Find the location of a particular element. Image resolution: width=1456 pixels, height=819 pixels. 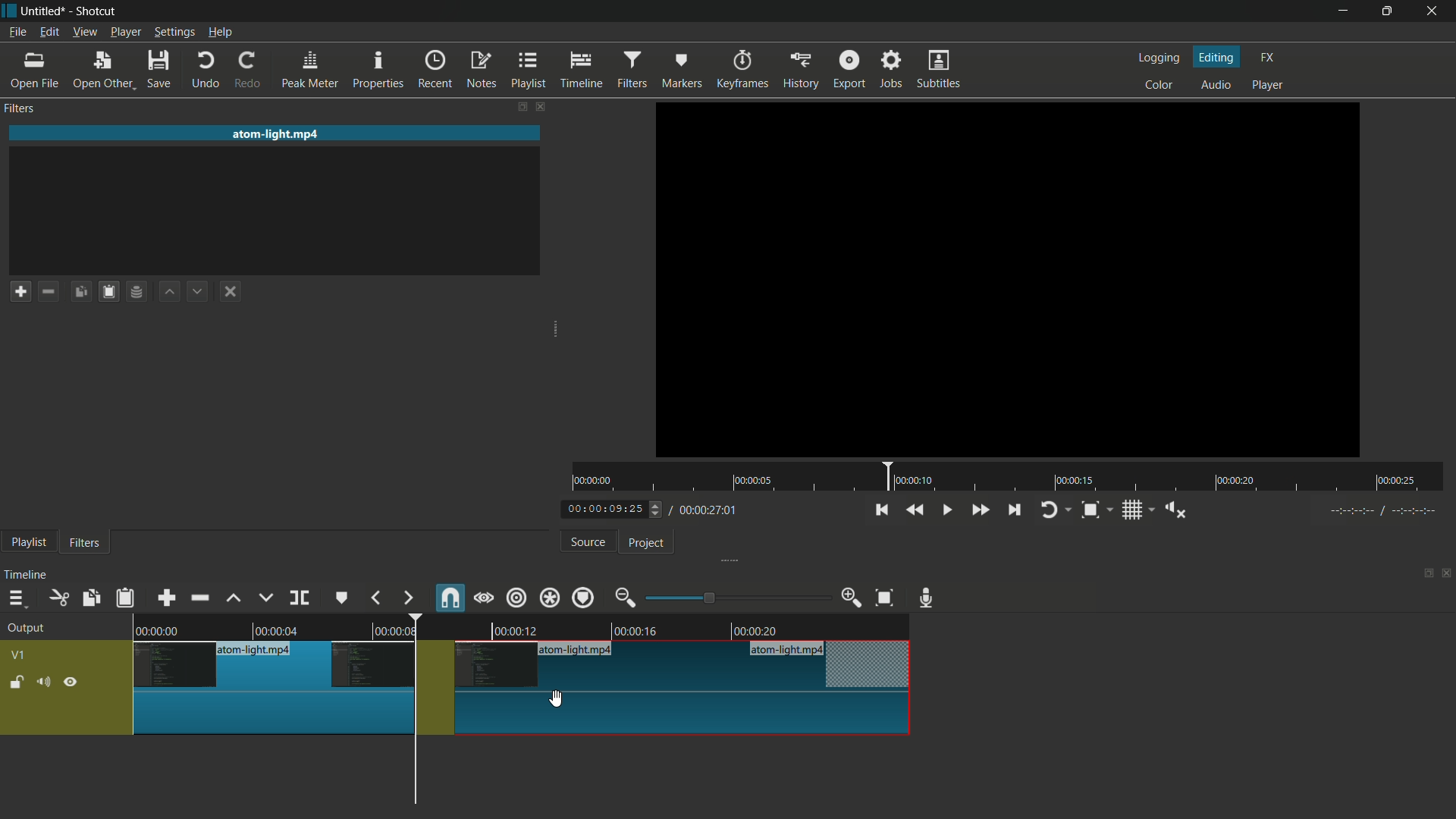

undo is located at coordinates (206, 71).